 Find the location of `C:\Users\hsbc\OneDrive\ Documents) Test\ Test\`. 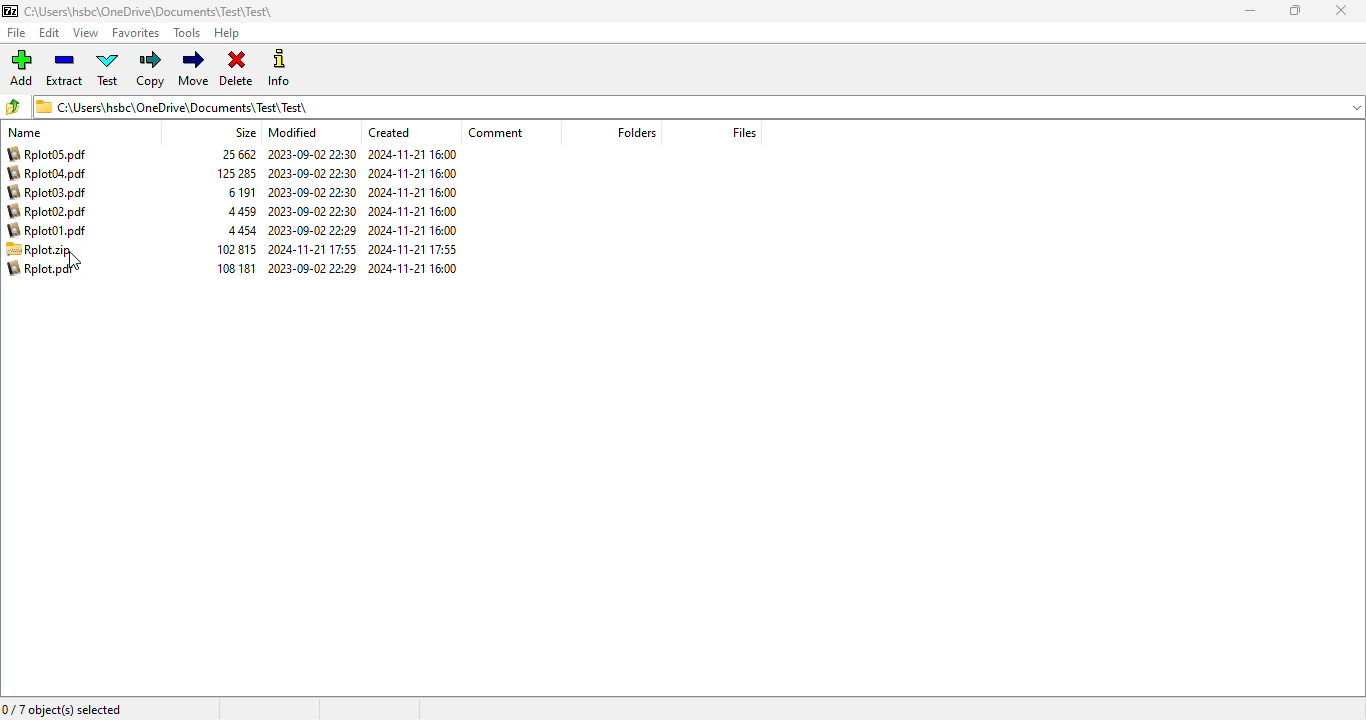

C:\Users\hsbc\OneDrive\ Documents) Test\ Test\ is located at coordinates (699, 107).